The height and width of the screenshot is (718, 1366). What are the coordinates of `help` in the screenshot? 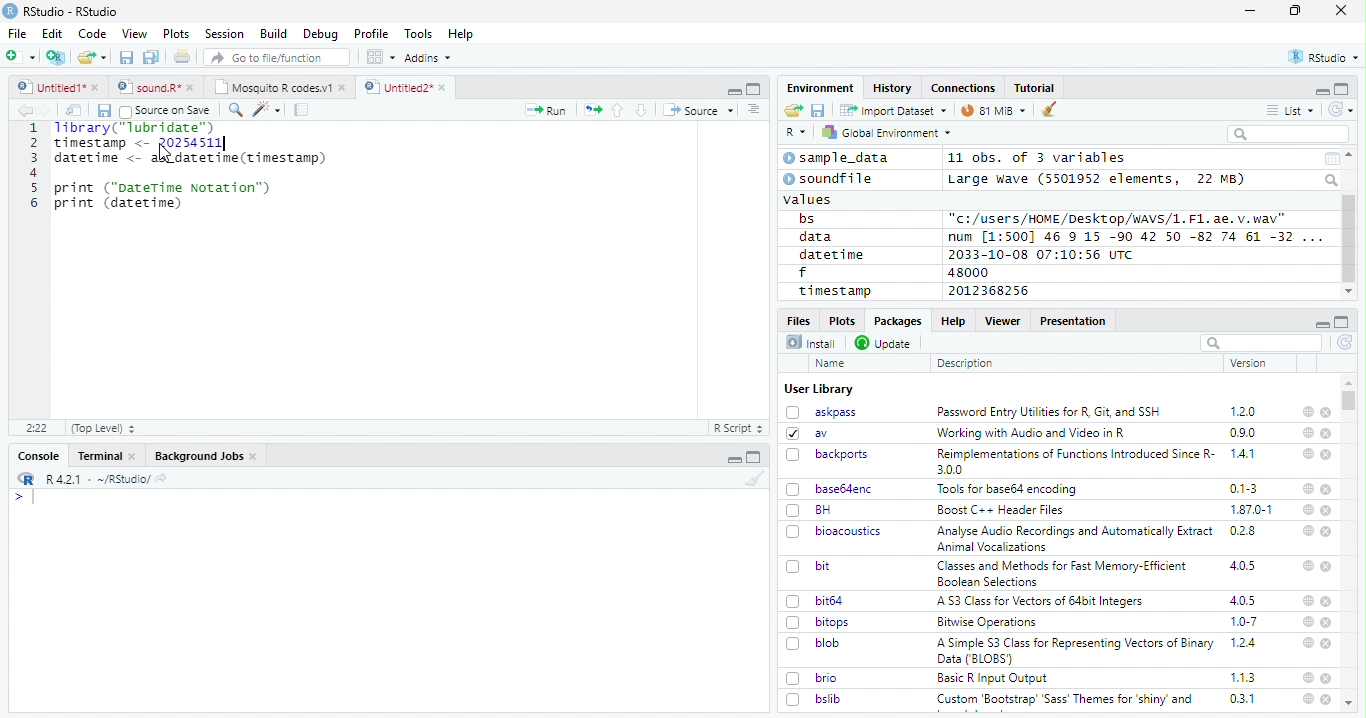 It's located at (1307, 565).